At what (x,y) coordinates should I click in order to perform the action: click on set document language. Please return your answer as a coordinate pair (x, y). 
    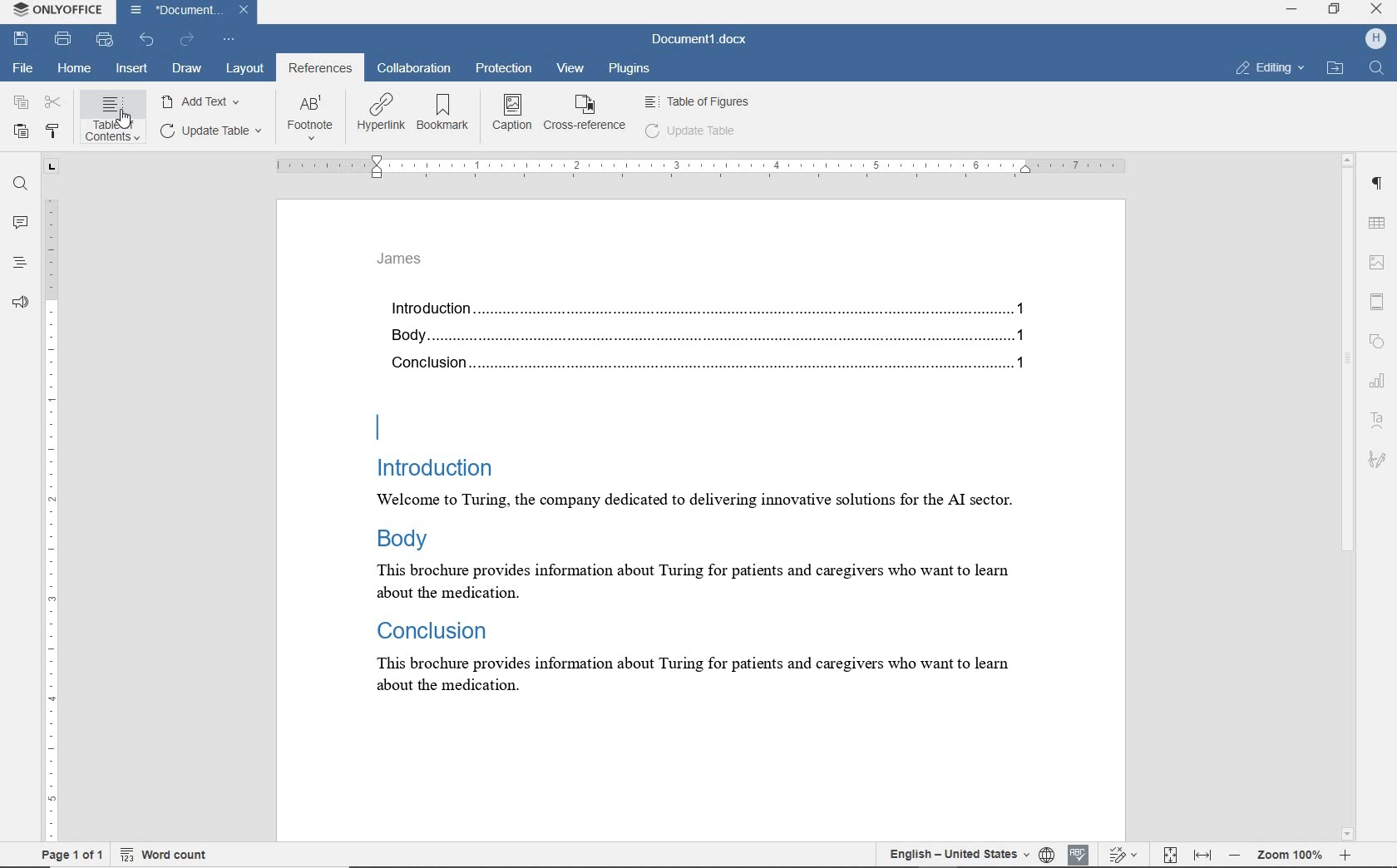
    Looking at the image, I should click on (1047, 856).